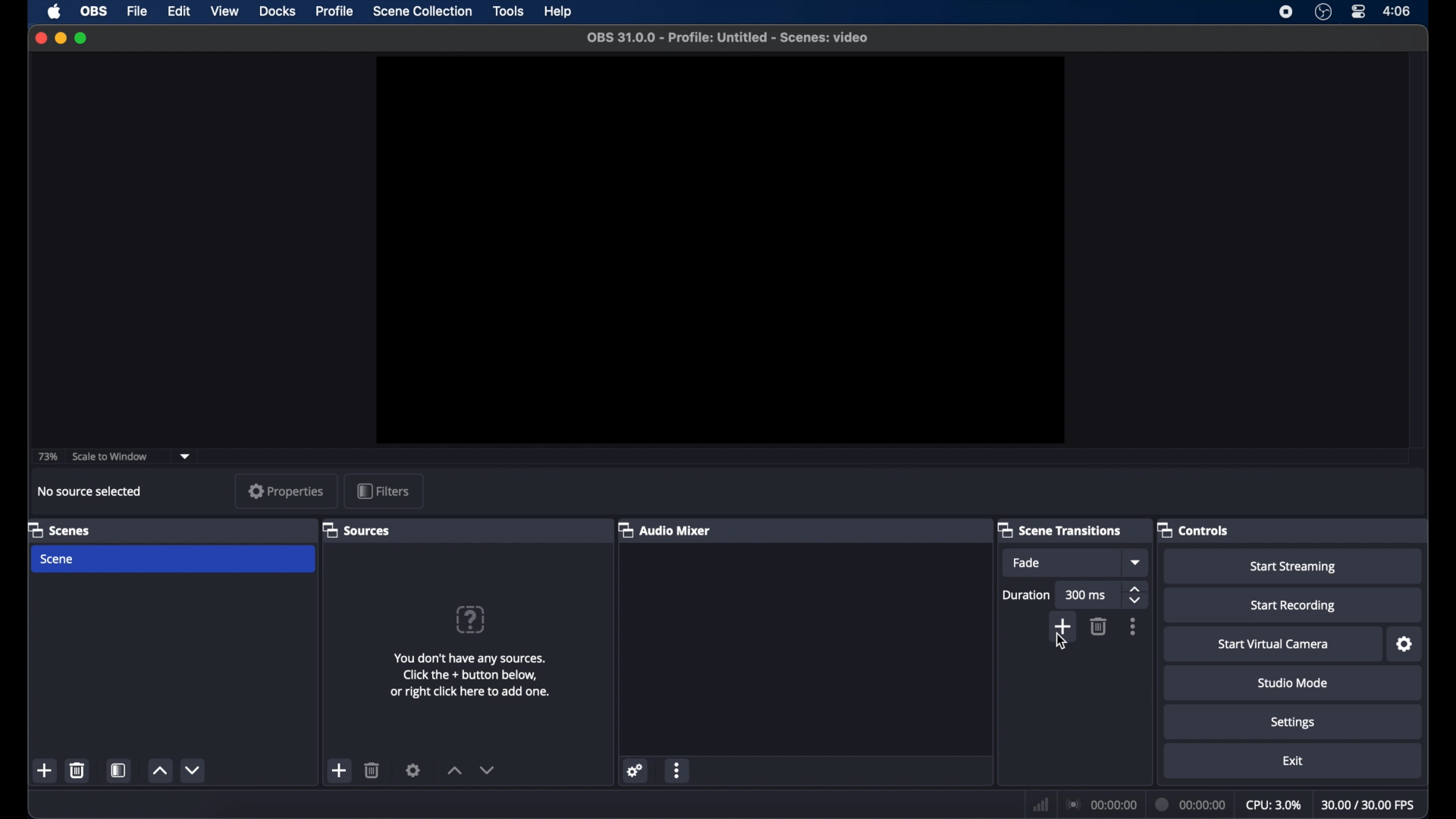 The width and height of the screenshot is (1456, 819). I want to click on filters, so click(382, 490).